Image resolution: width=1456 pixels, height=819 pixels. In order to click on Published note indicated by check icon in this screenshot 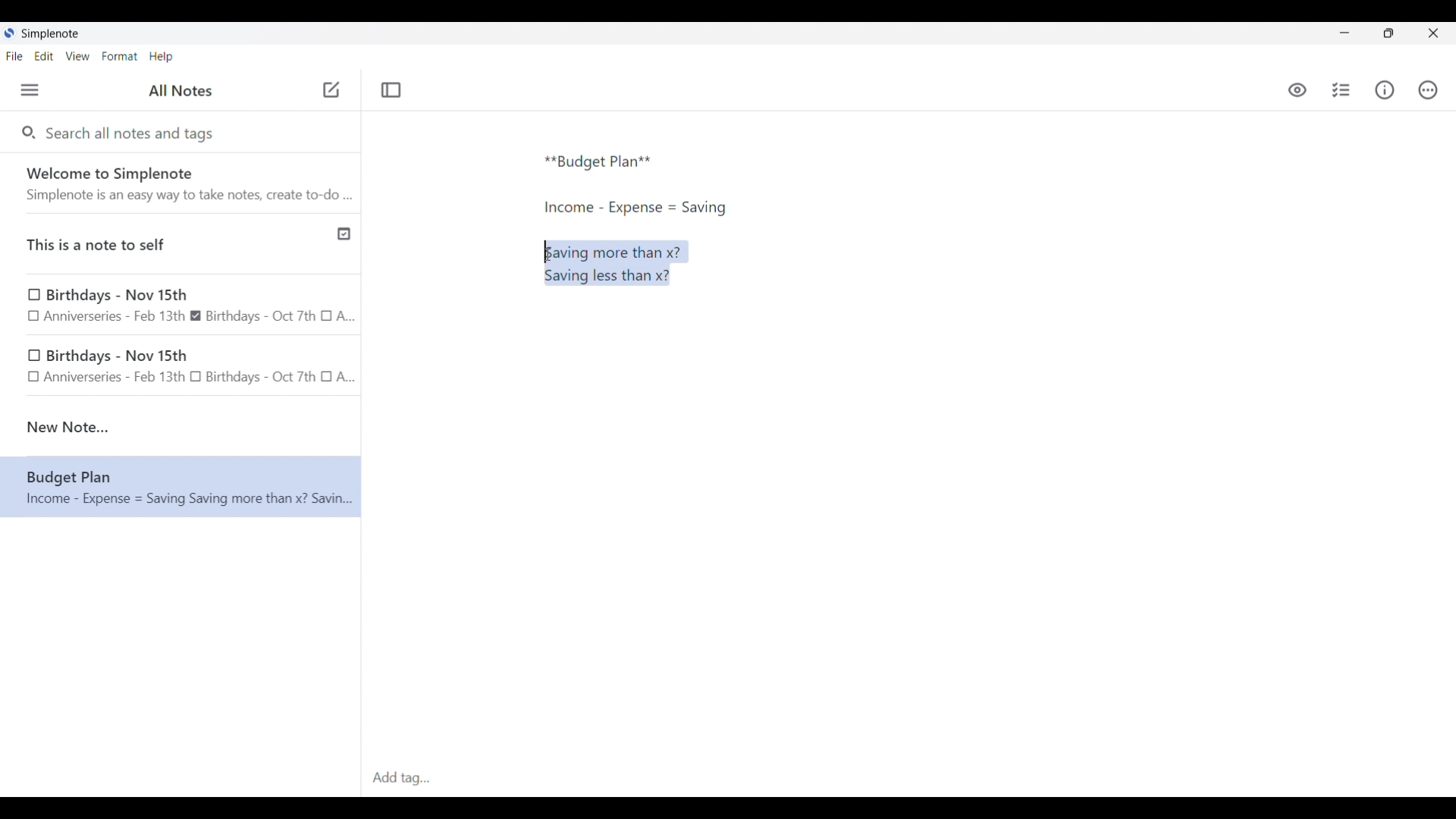, I will do `click(182, 244)`.